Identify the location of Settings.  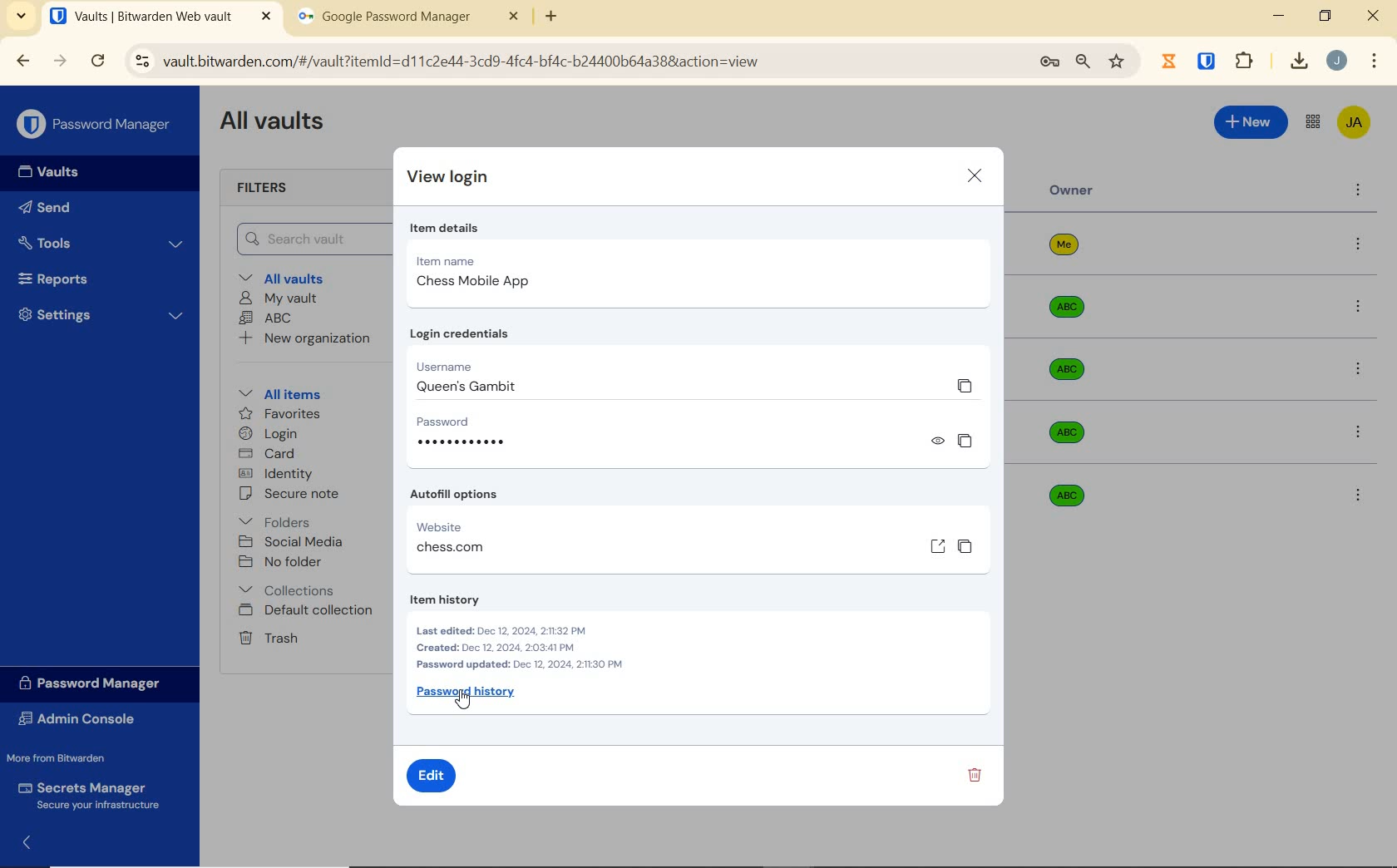
(104, 316).